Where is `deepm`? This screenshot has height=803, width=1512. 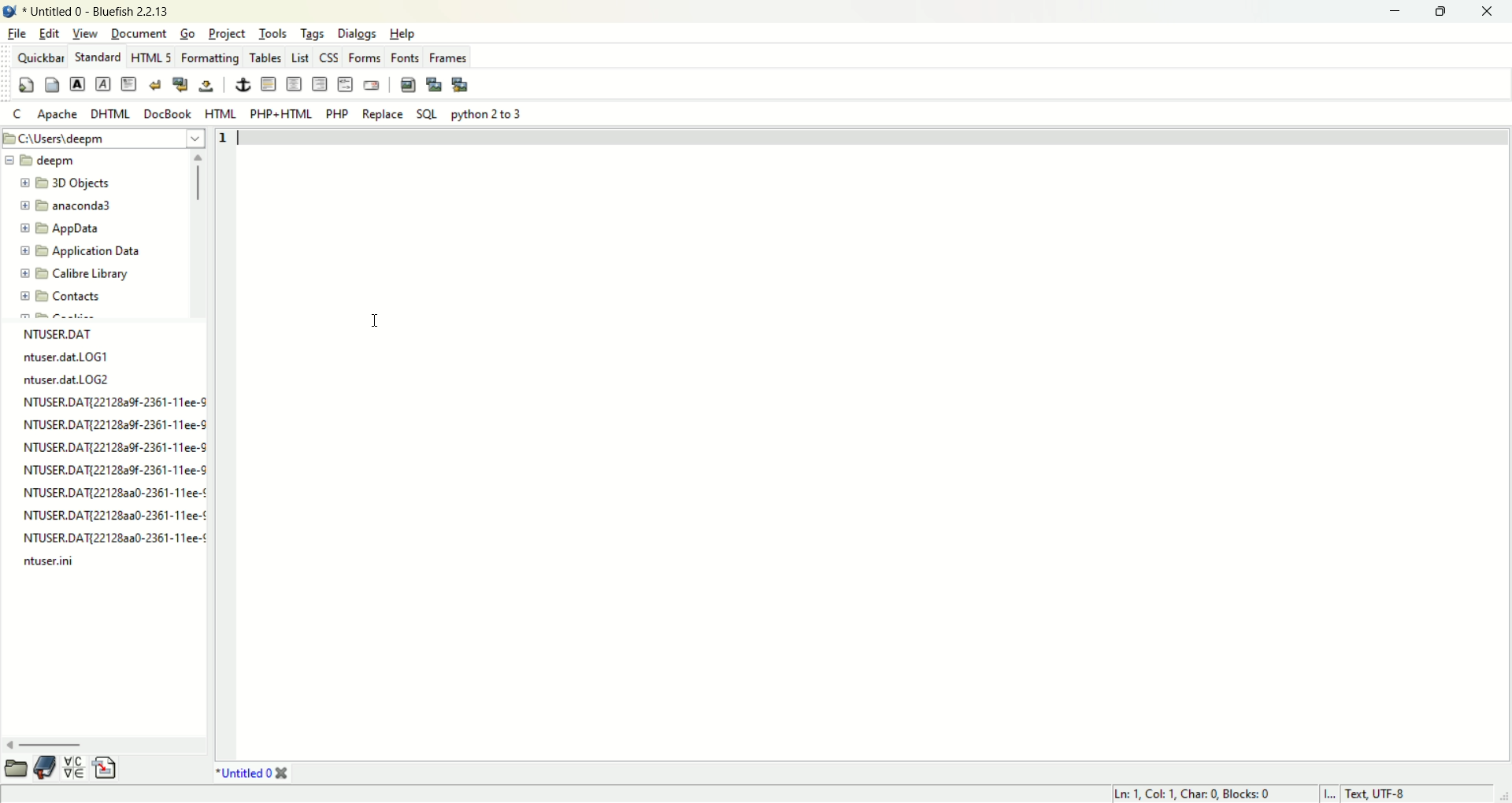
deepm is located at coordinates (46, 164).